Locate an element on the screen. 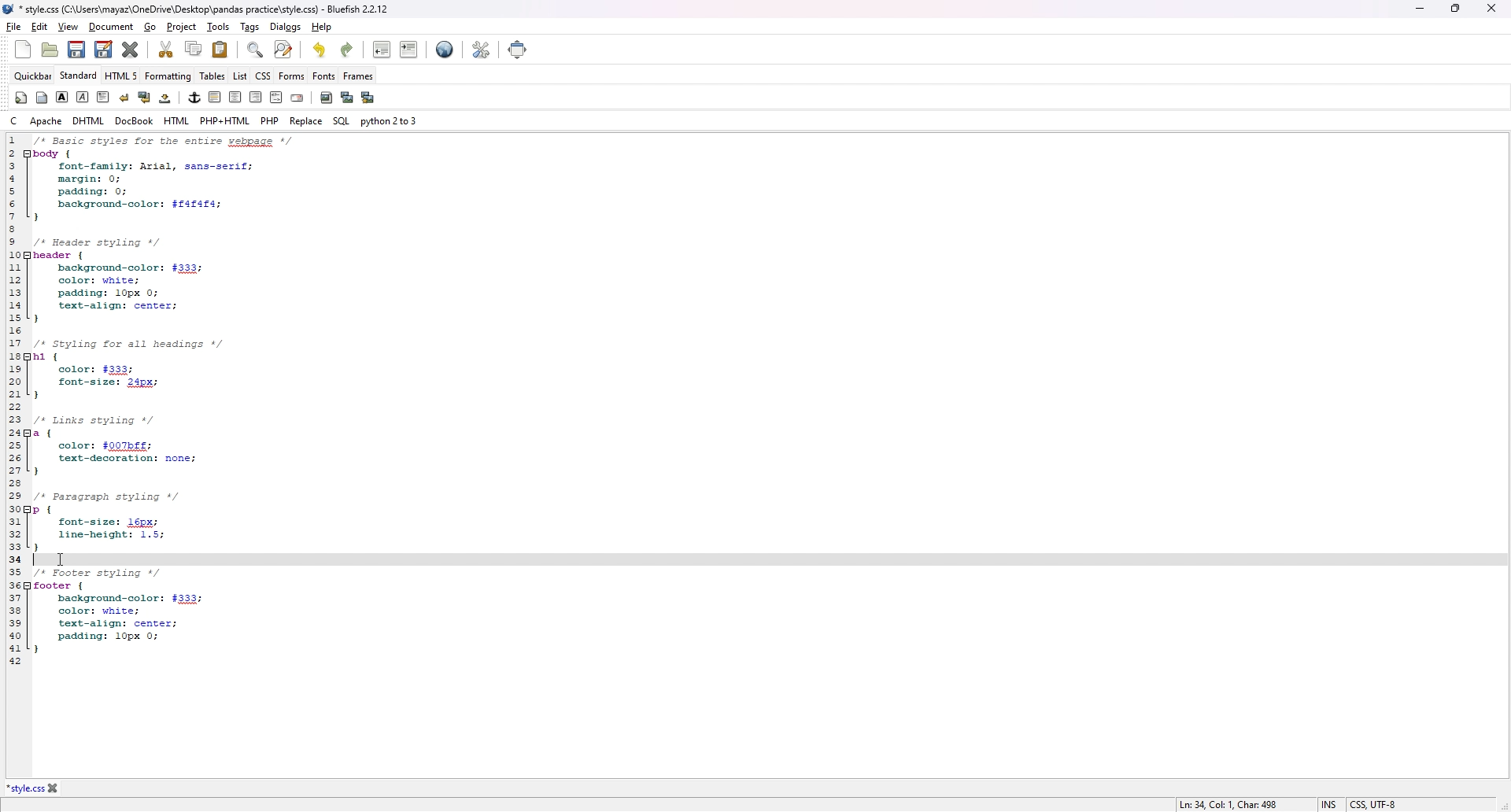 This screenshot has height=812, width=1511. insert thumbnail is located at coordinates (346, 98).